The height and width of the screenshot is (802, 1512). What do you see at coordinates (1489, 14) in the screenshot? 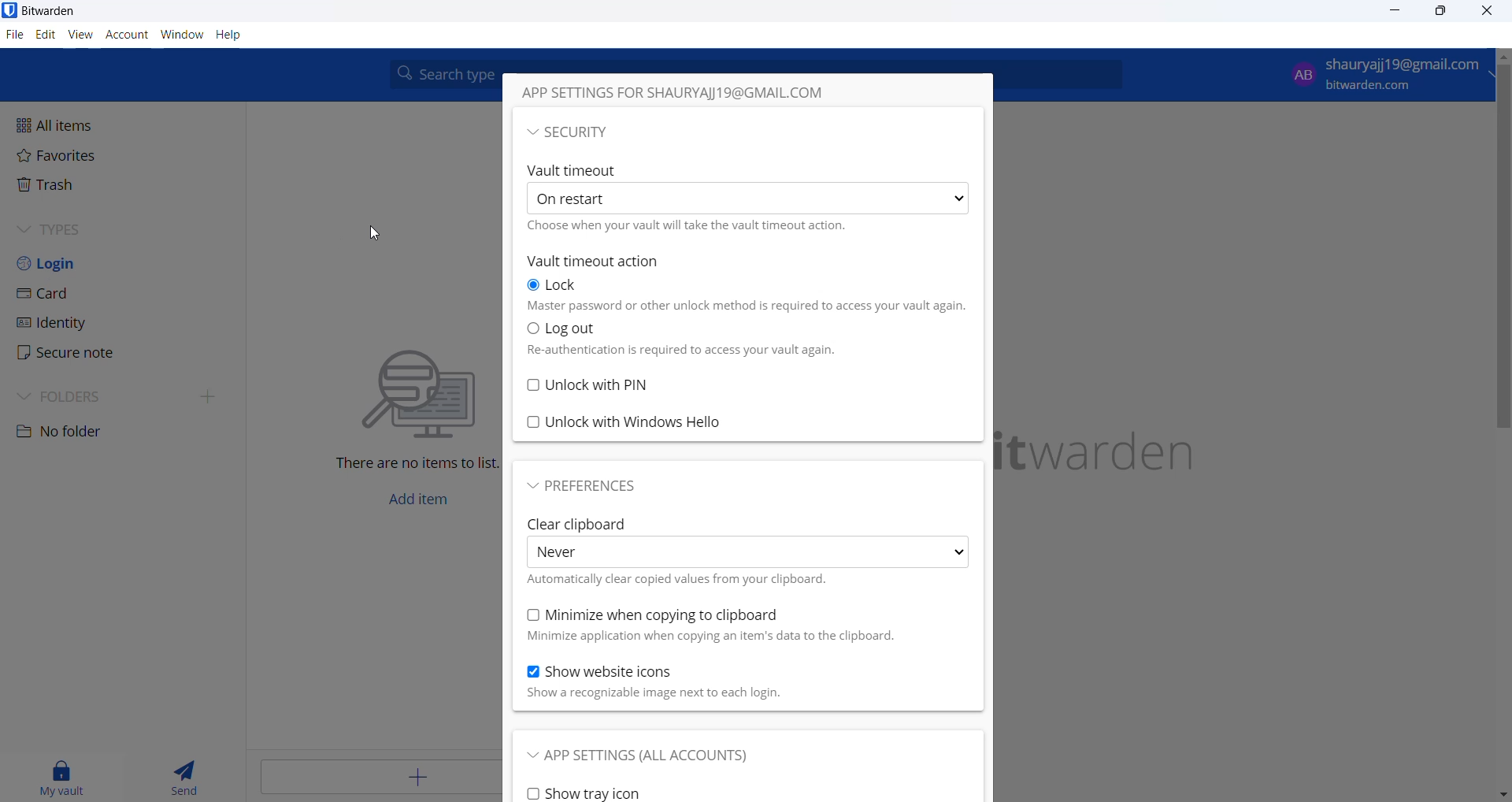
I see `close` at bounding box center [1489, 14].